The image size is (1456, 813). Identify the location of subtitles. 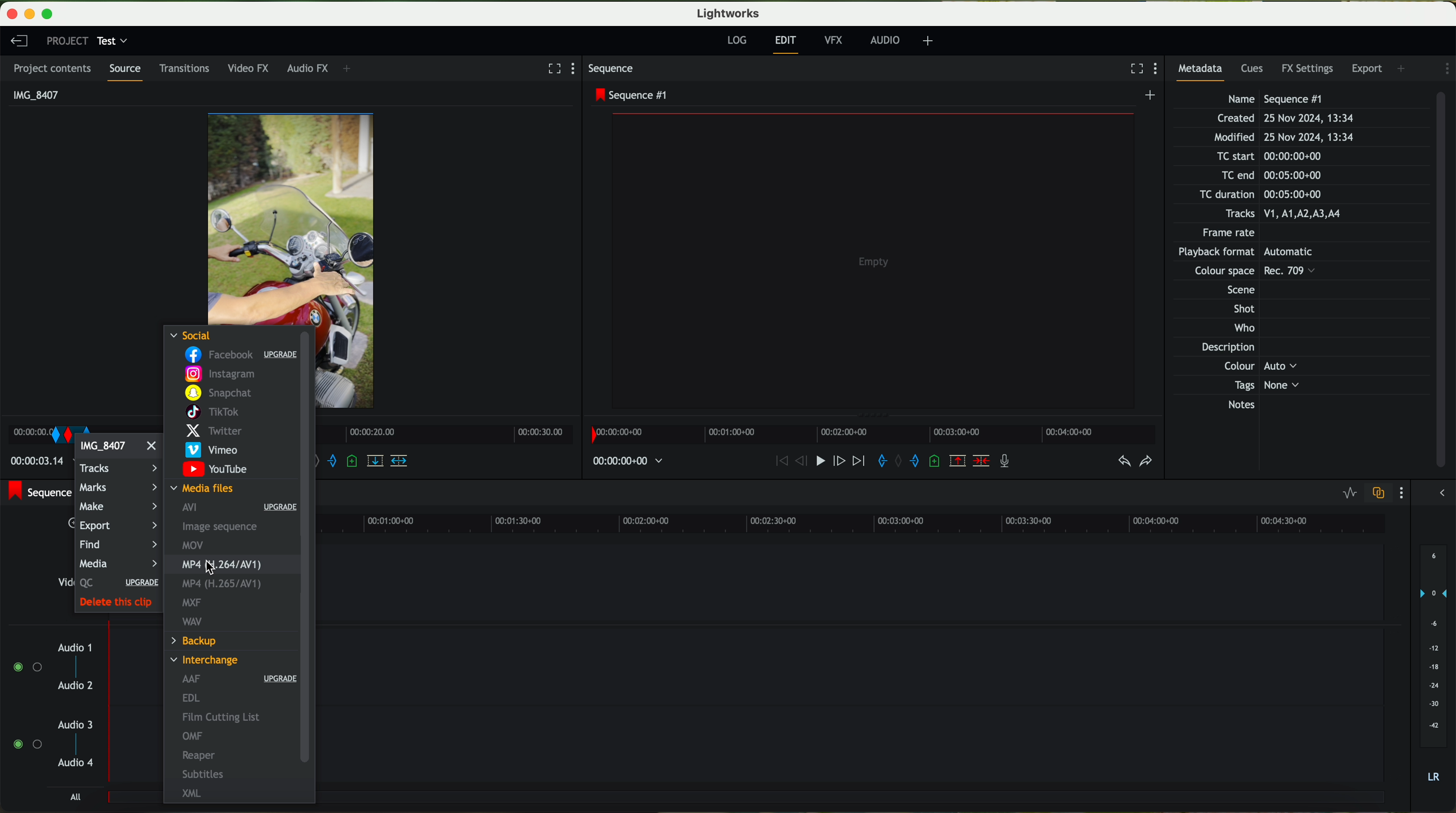
(206, 775).